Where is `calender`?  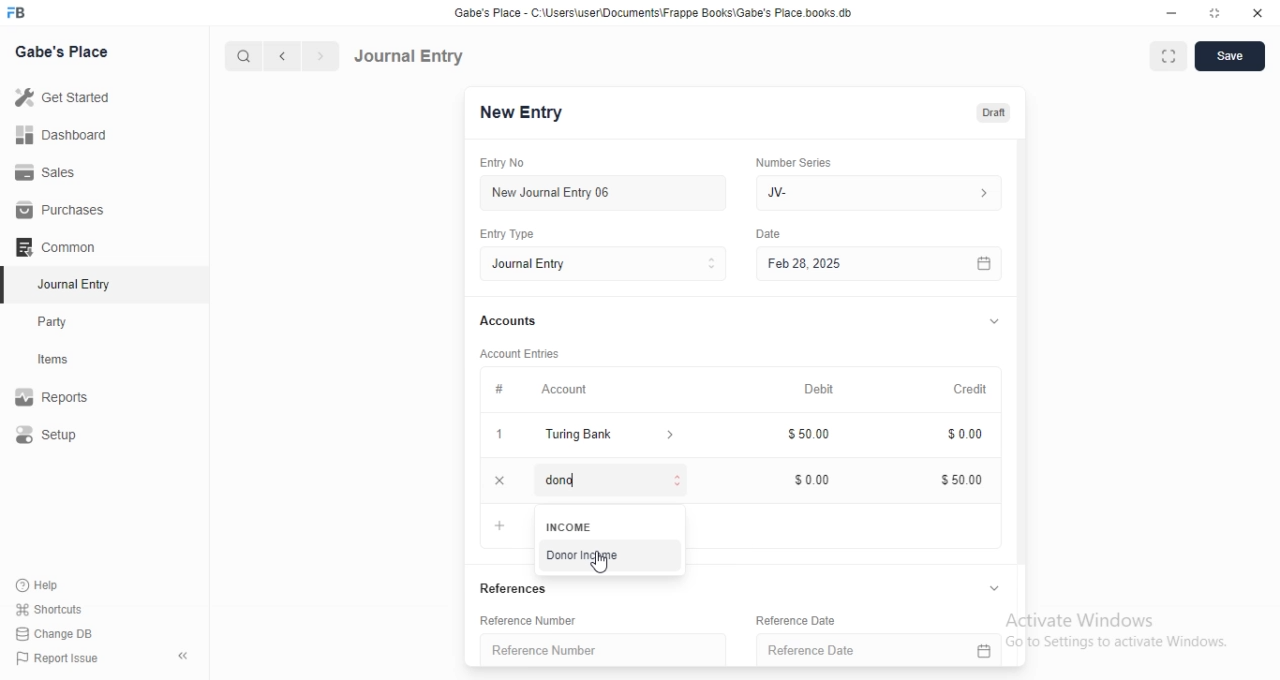
calender is located at coordinates (984, 263).